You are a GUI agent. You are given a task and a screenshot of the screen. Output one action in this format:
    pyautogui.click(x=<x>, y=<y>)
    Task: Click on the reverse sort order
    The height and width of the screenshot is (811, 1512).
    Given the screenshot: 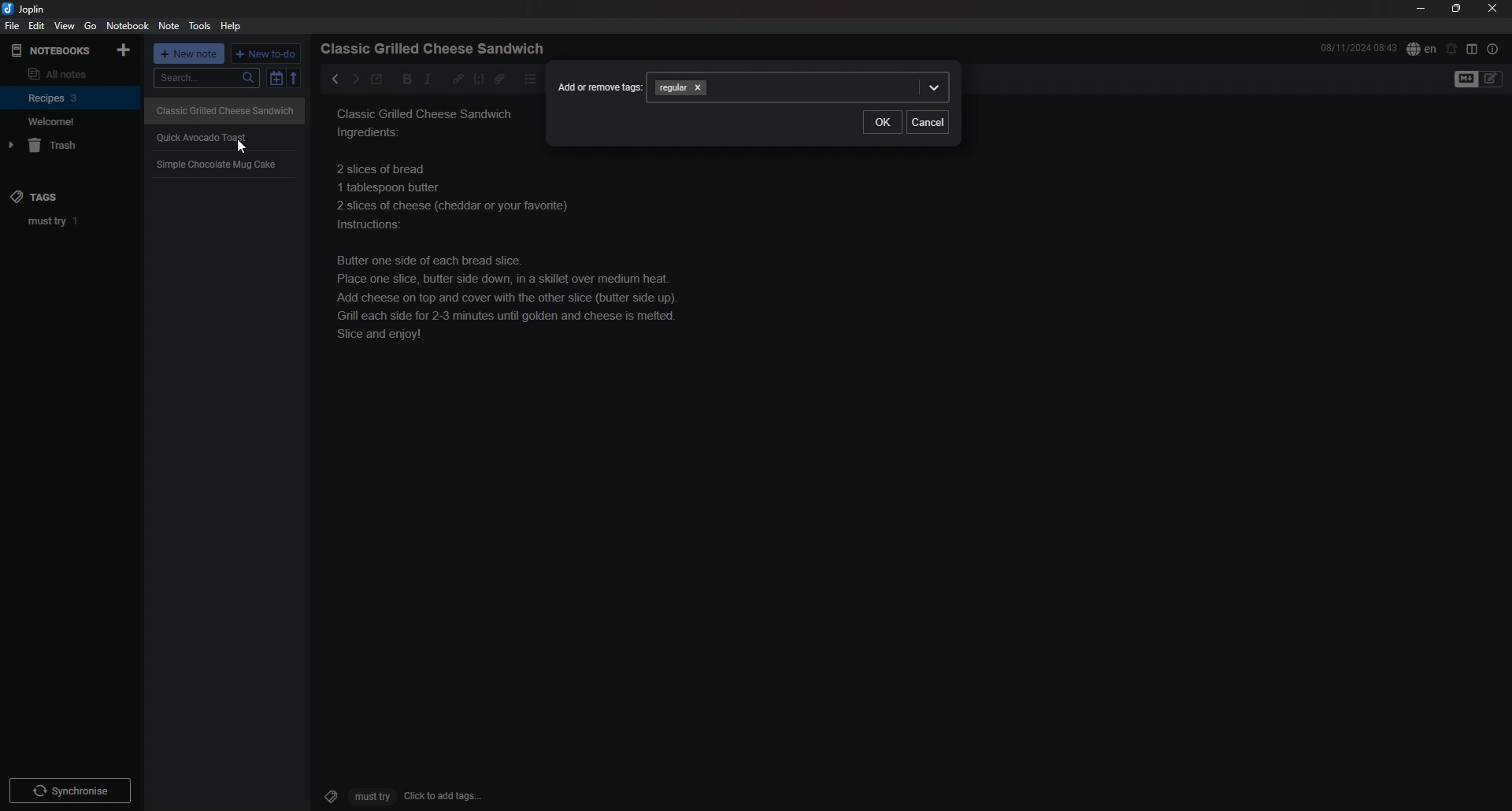 What is the action you would take?
    pyautogui.click(x=297, y=79)
    